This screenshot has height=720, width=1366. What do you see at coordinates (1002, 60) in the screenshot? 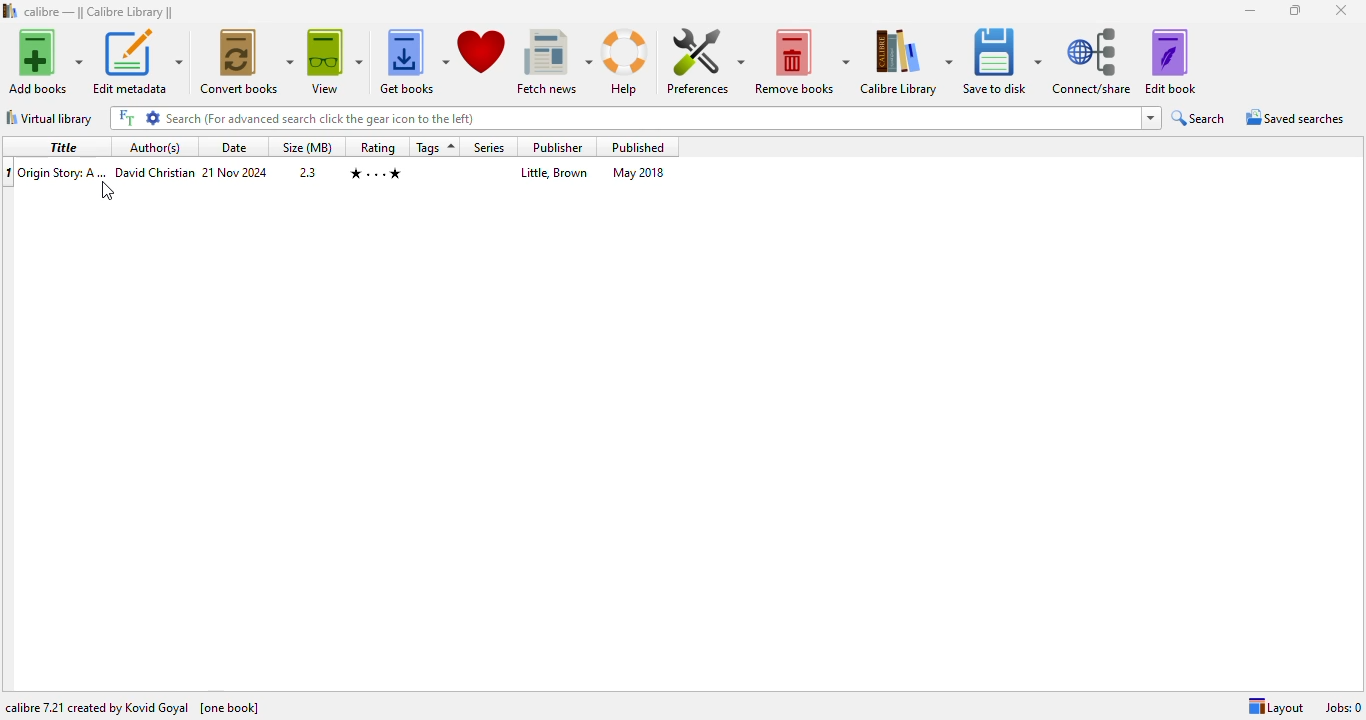
I see `save to disk` at bounding box center [1002, 60].